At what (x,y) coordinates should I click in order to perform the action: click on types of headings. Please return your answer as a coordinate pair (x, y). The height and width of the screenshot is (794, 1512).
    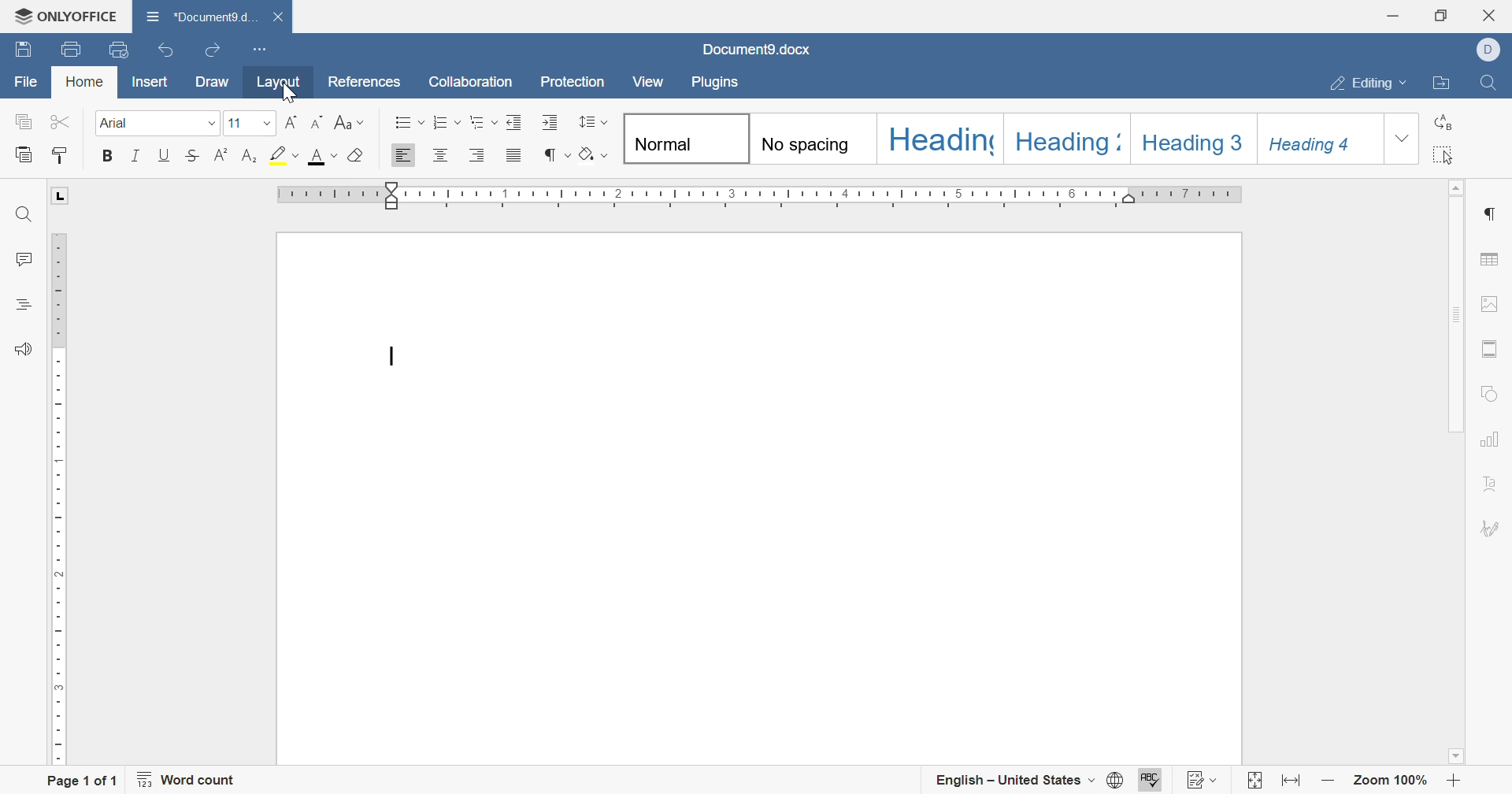
    Looking at the image, I should click on (1001, 137).